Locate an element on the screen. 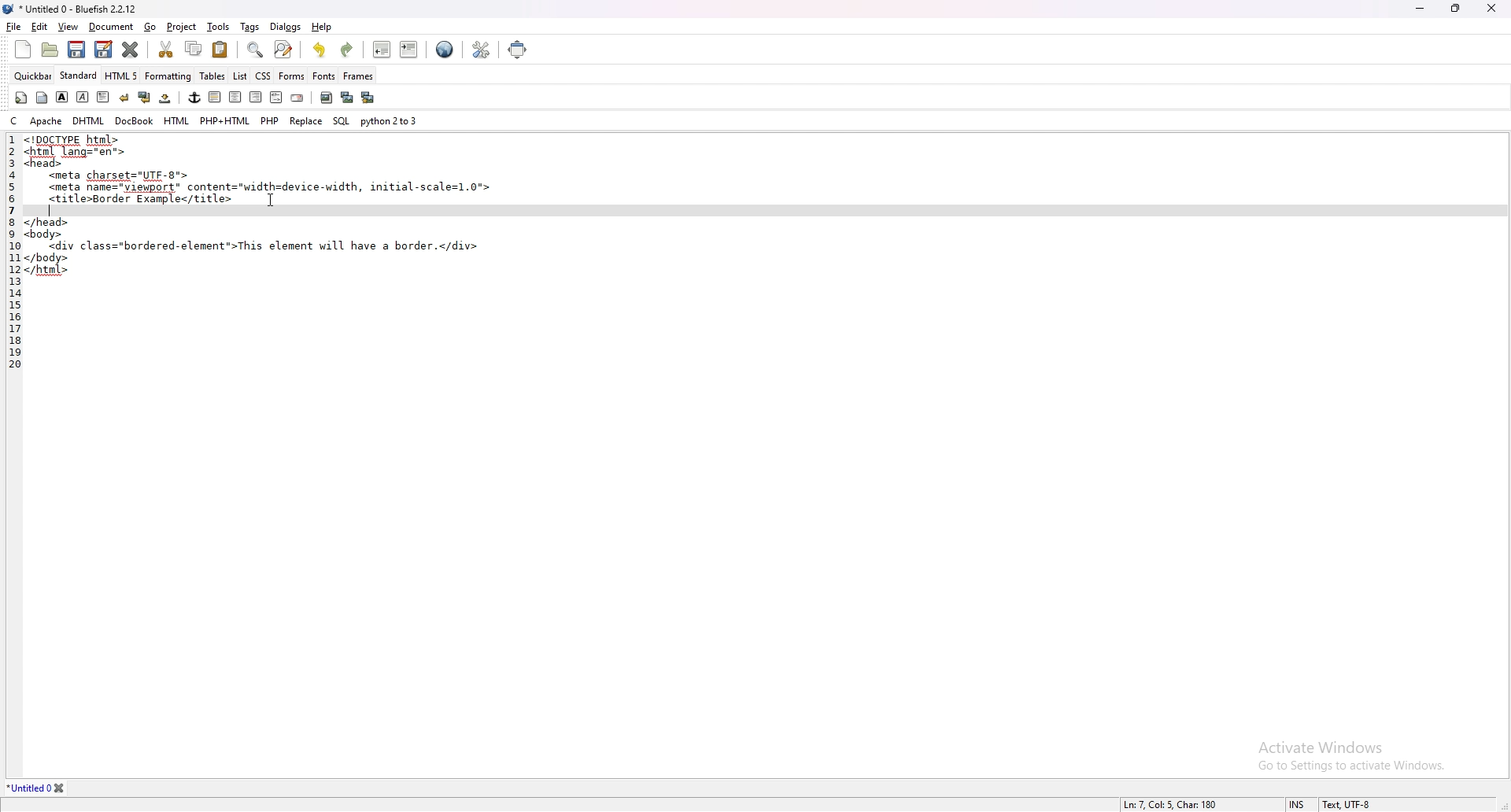 This screenshot has width=1511, height=812. tools is located at coordinates (218, 27).